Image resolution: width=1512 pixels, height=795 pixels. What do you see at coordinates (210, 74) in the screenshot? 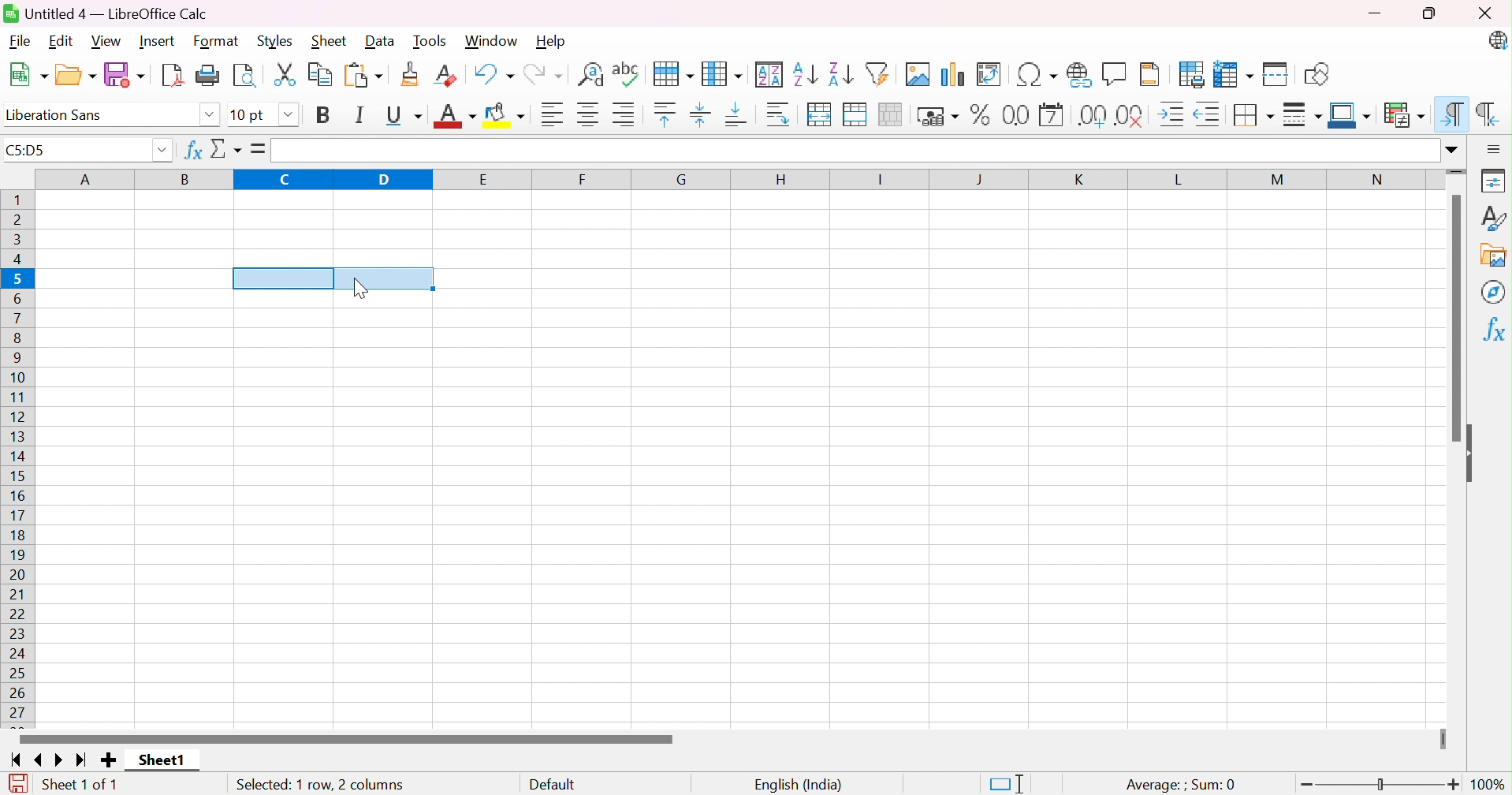
I see `Print` at bounding box center [210, 74].